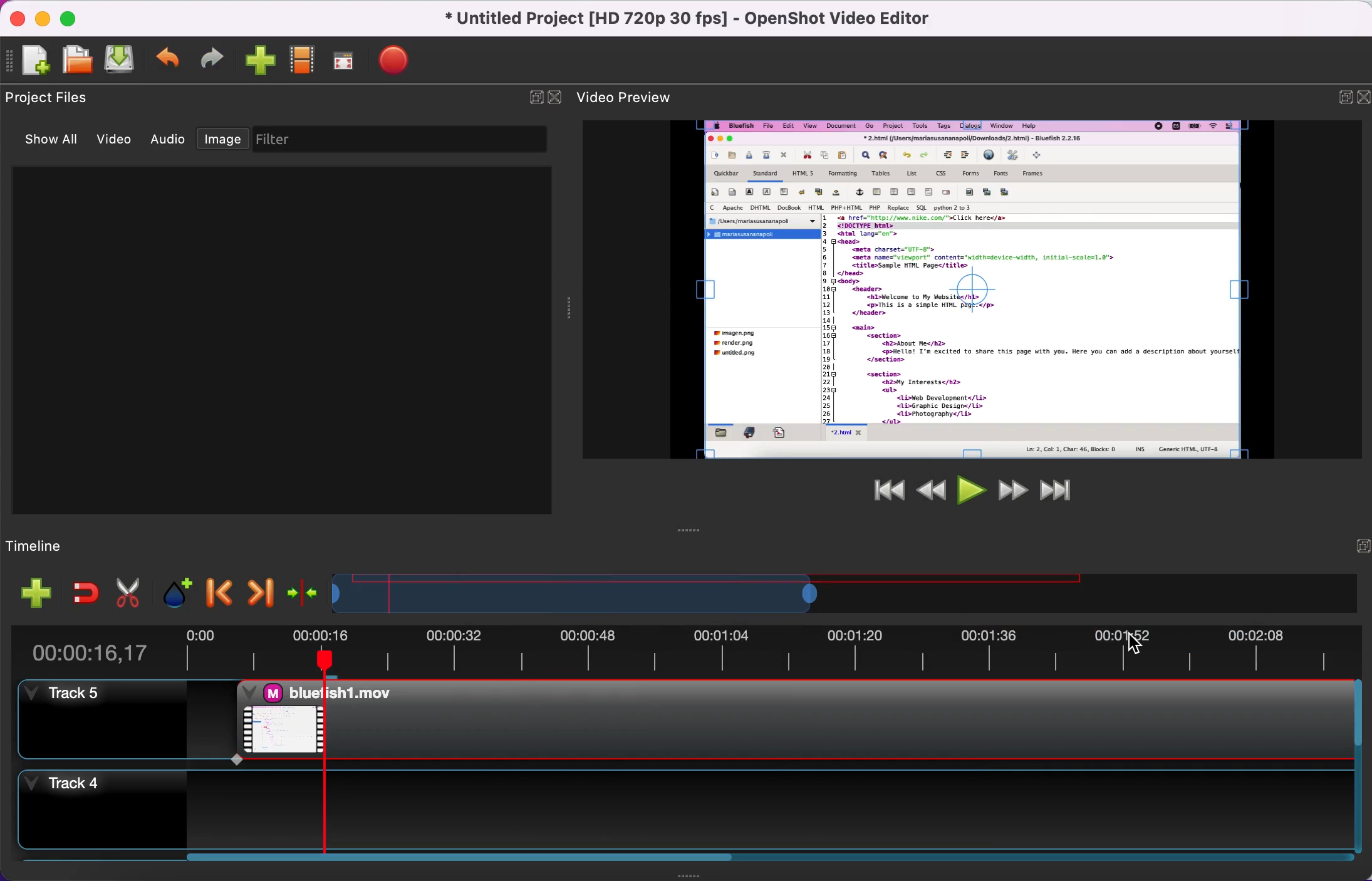 Image resolution: width=1372 pixels, height=881 pixels. Describe the element at coordinates (216, 58) in the screenshot. I see `redo` at that location.